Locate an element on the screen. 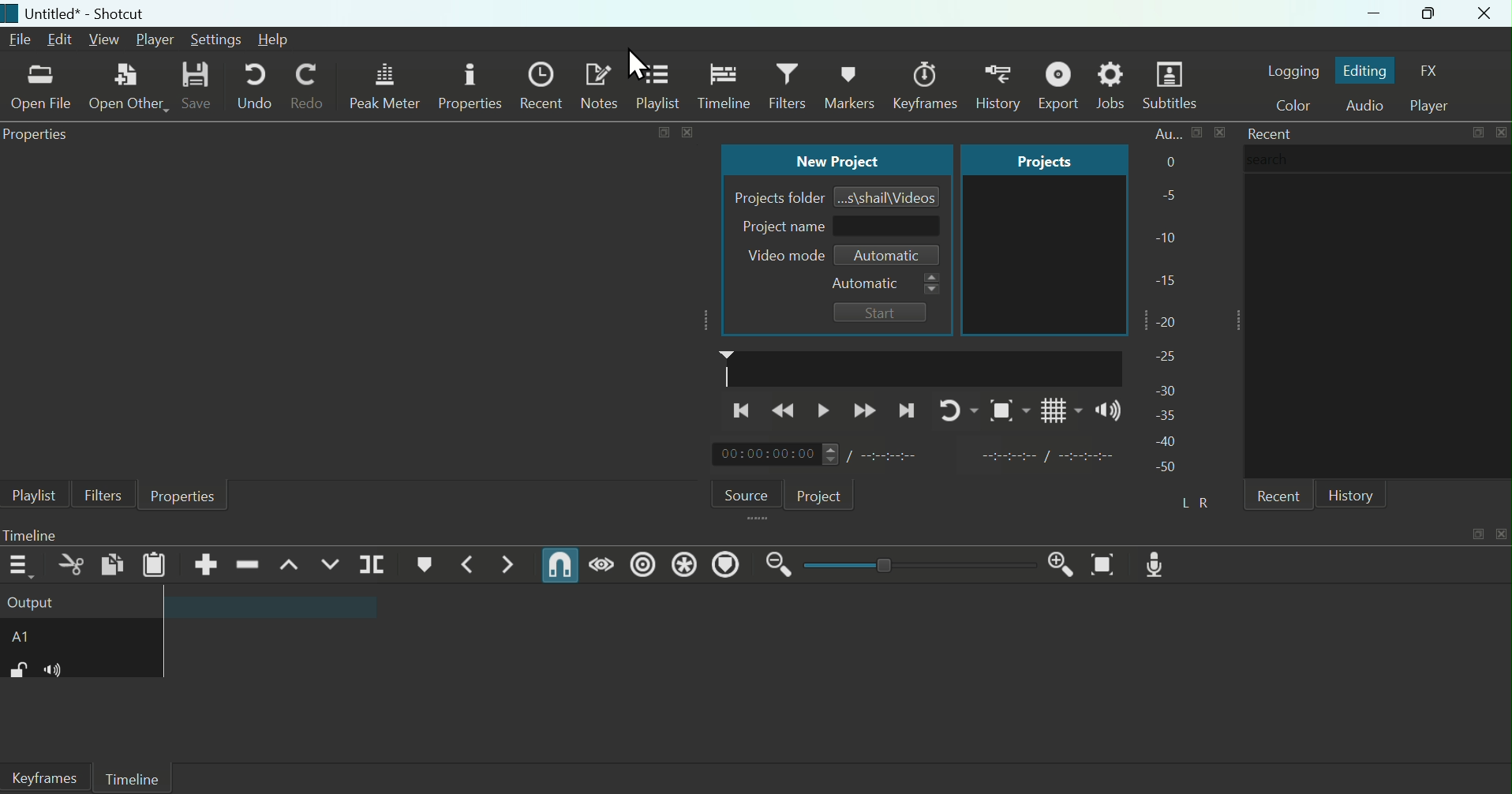 The width and height of the screenshot is (1512, 794). close is located at coordinates (1220, 132).